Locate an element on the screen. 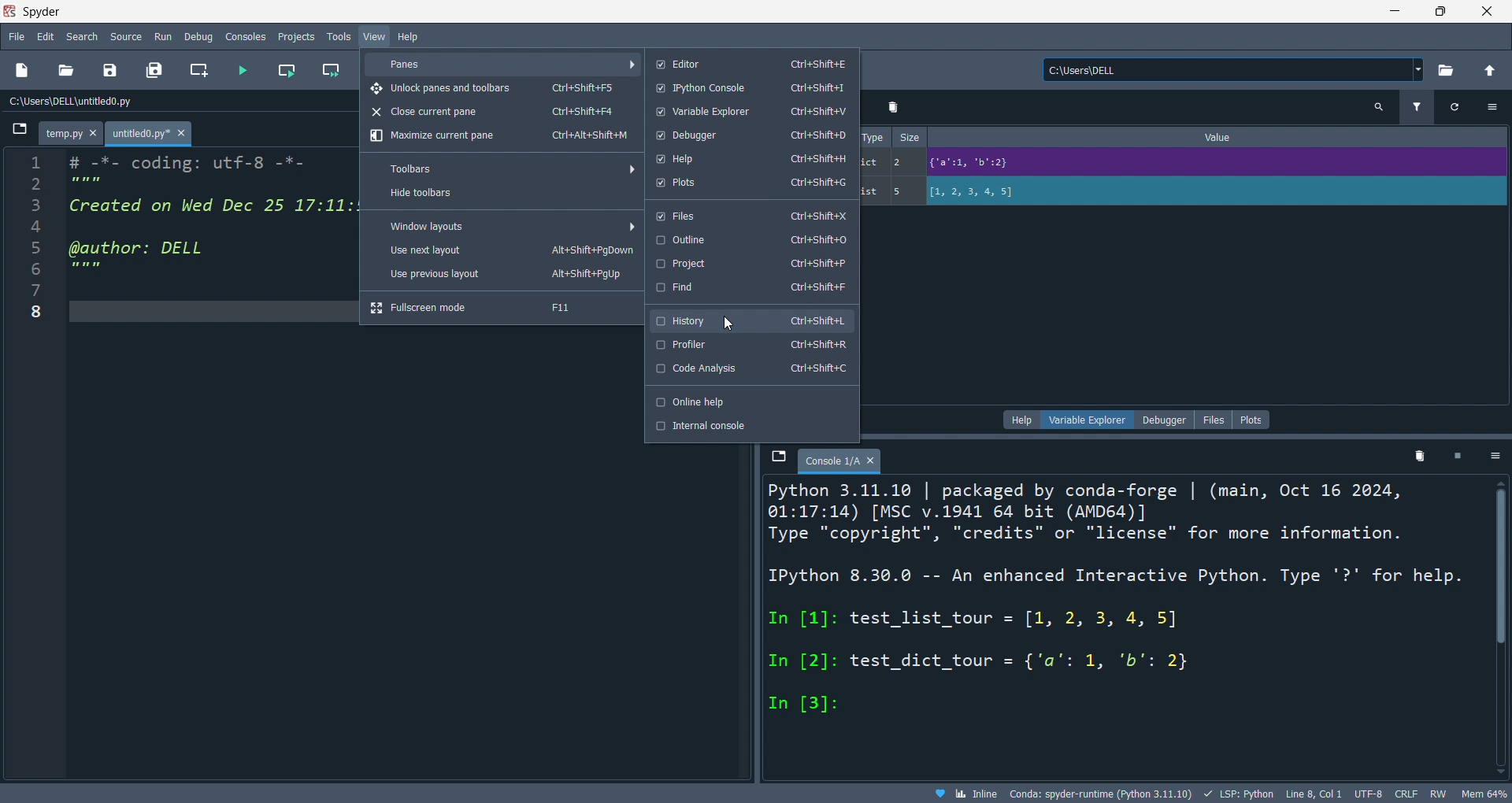 The height and width of the screenshot is (803, 1512). delete is located at coordinates (895, 107).